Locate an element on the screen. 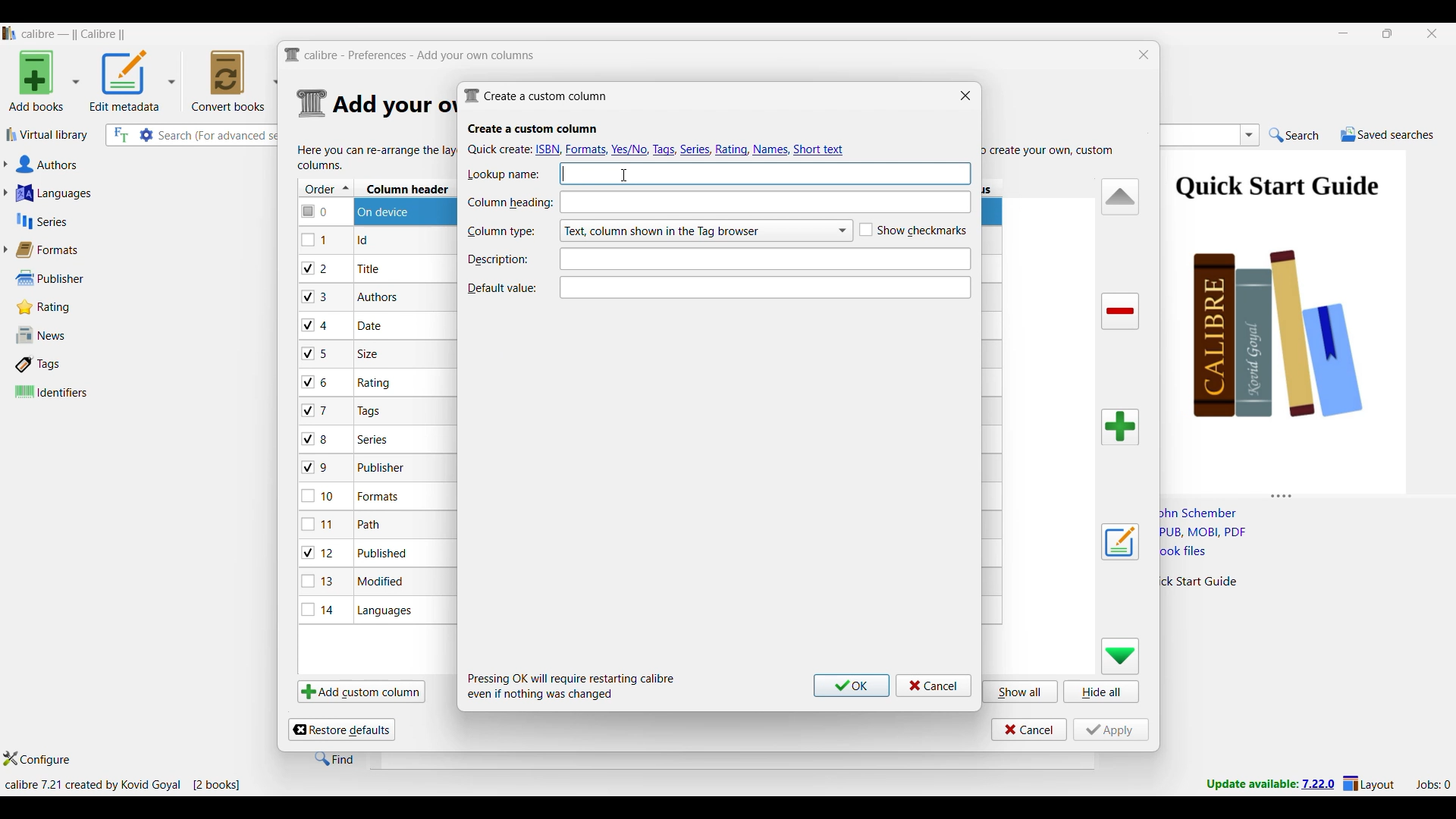 This screenshot has width=1456, height=819. Close window is located at coordinates (1144, 55).